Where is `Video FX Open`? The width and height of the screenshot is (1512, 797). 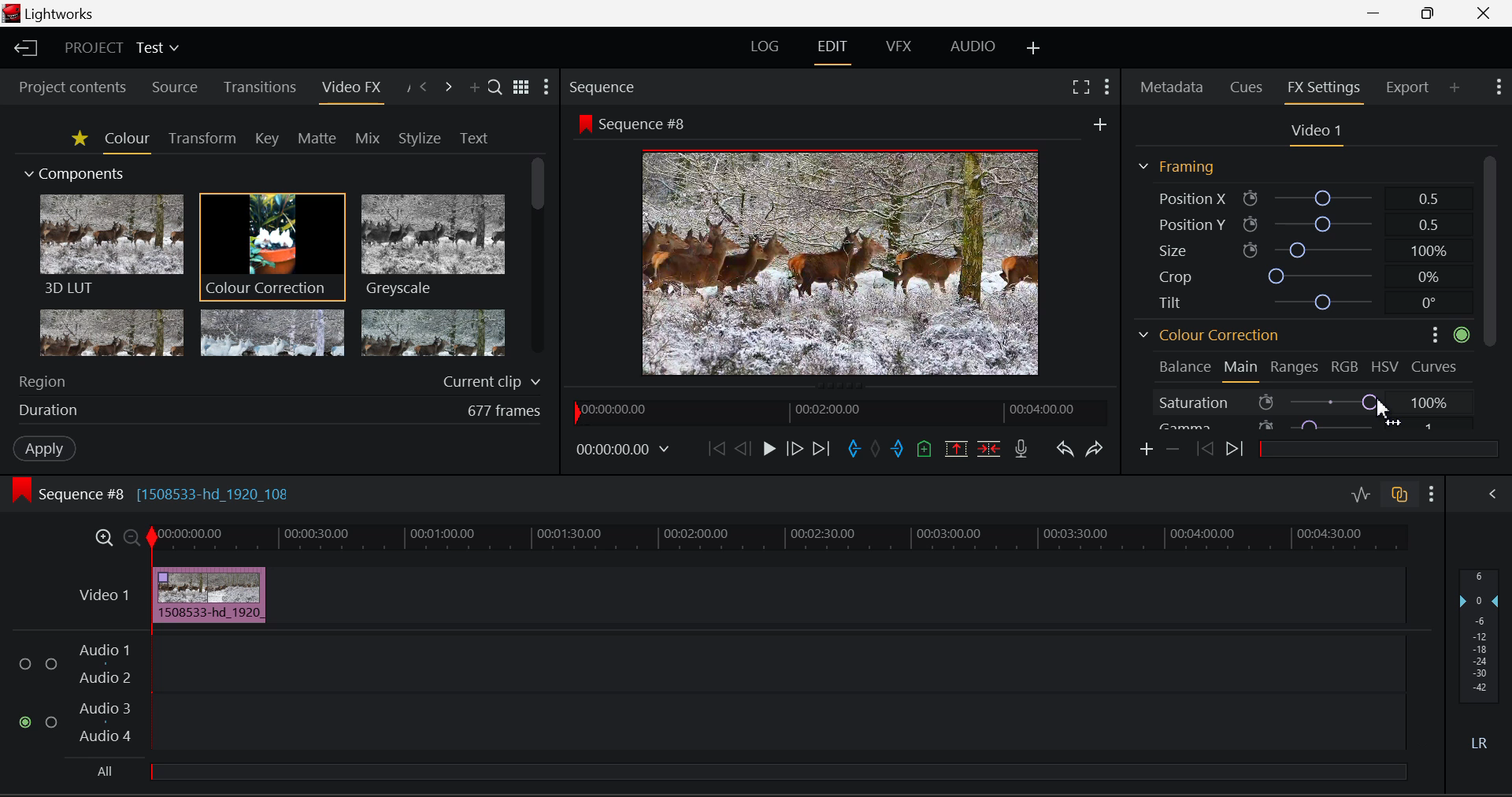 Video FX Open is located at coordinates (353, 91).